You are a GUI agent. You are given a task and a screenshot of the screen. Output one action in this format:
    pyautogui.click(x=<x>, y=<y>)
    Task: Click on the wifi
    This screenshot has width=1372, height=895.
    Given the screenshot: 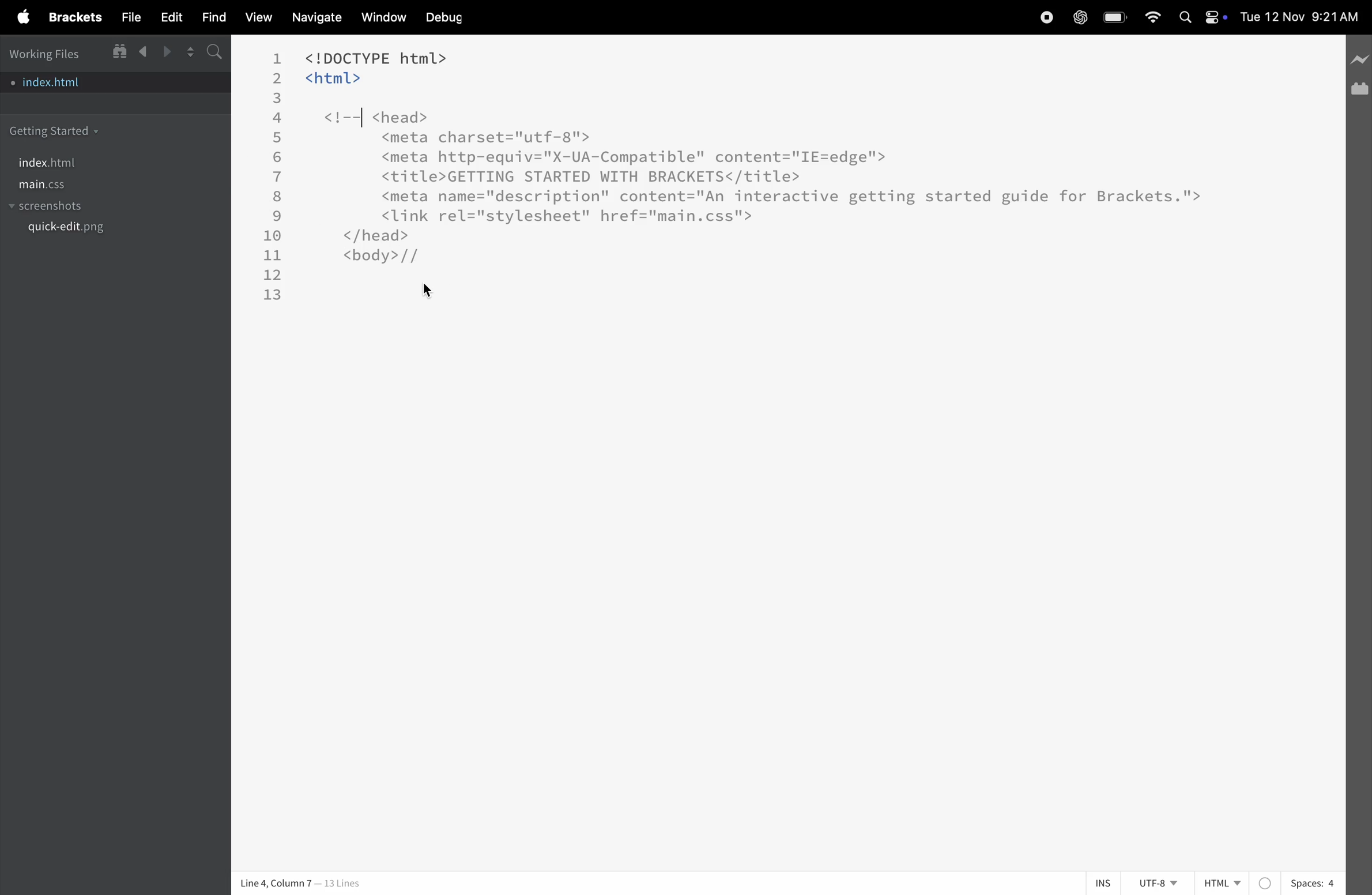 What is the action you would take?
    pyautogui.click(x=1150, y=16)
    